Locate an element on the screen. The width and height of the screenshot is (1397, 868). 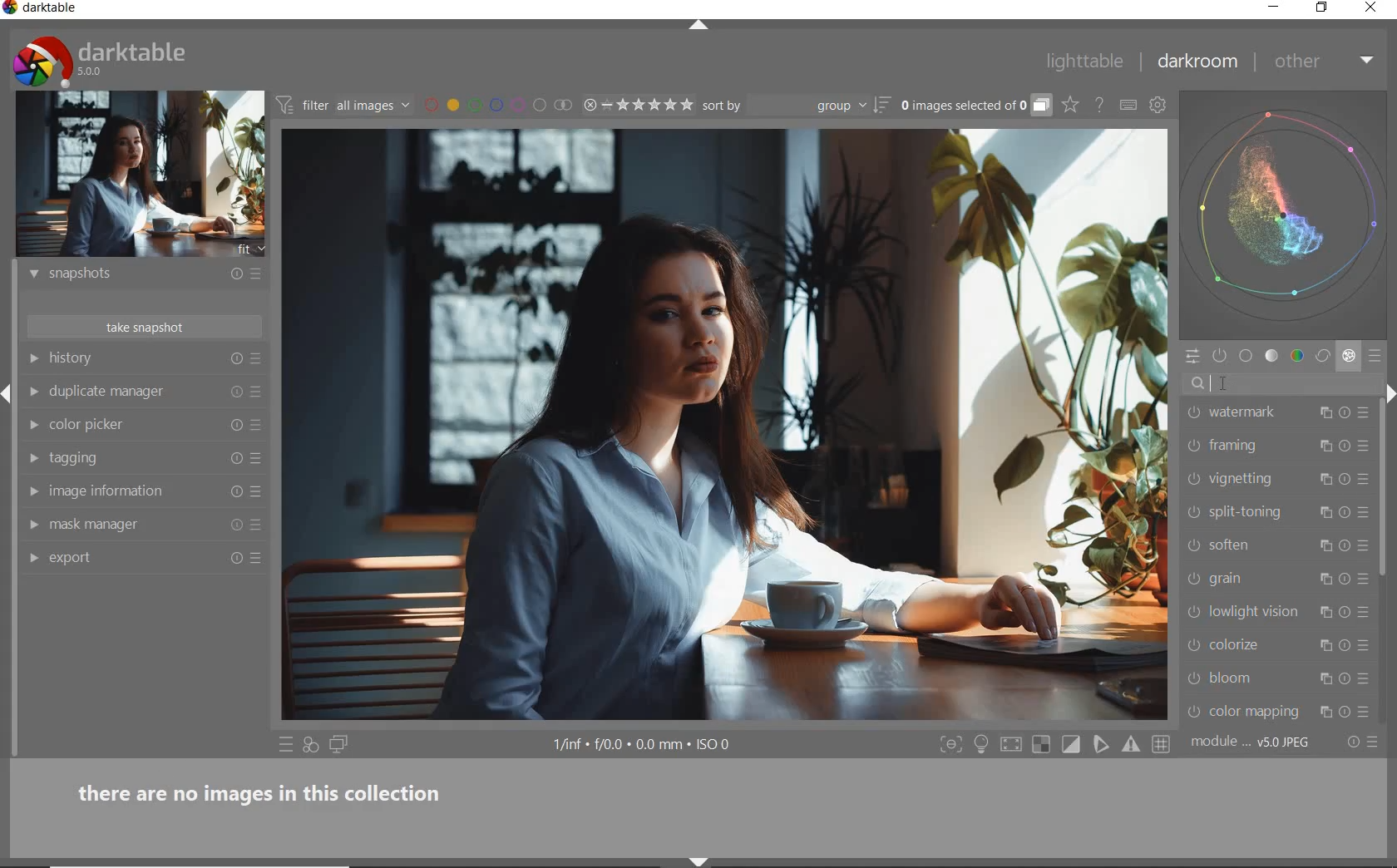
reset or preset & preferences is located at coordinates (1365, 742).